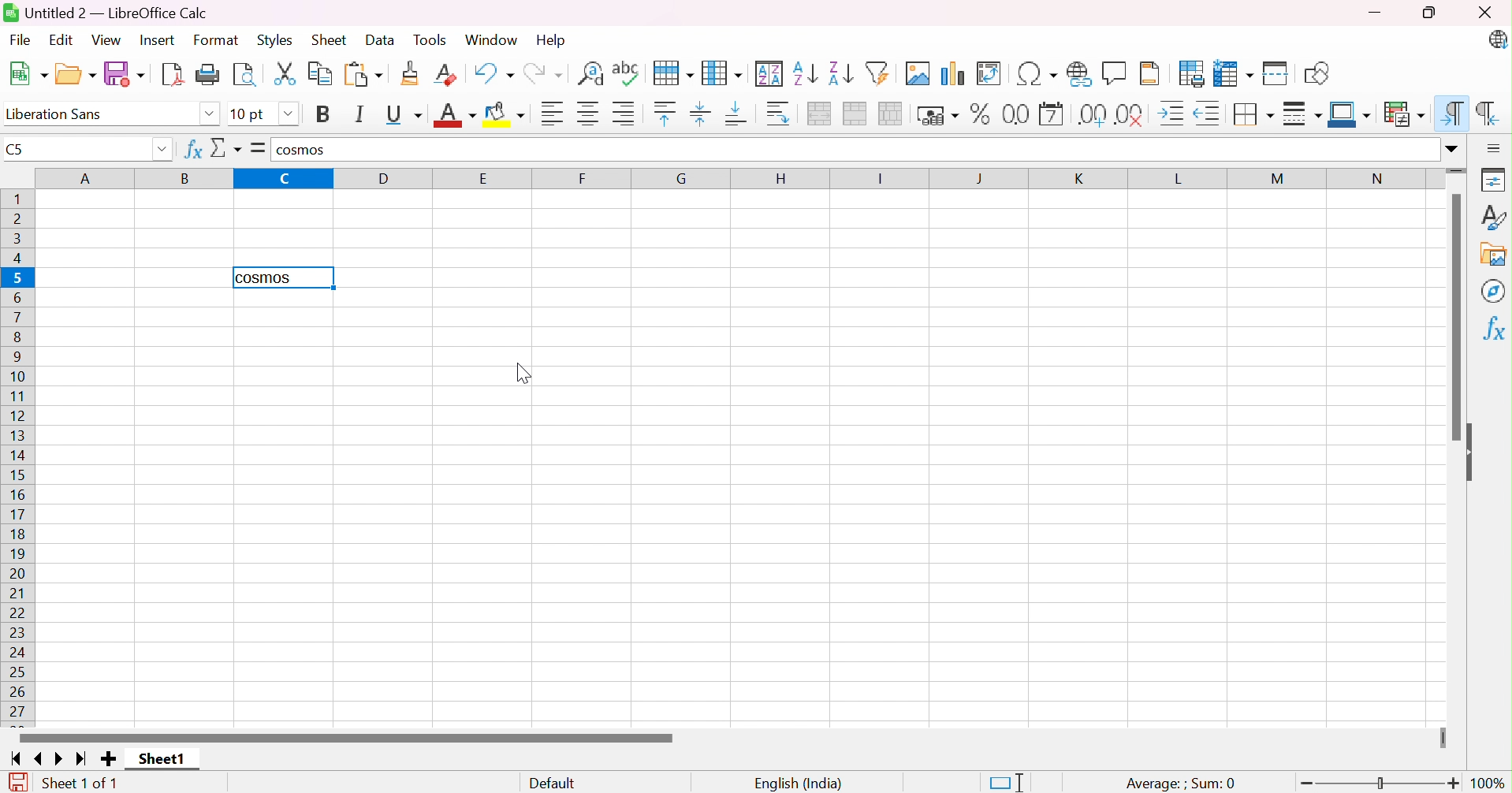 This screenshot has width=1512, height=793. What do you see at coordinates (1454, 319) in the screenshot?
I see `Scroll Bar` at bounding box center [1454, 319].